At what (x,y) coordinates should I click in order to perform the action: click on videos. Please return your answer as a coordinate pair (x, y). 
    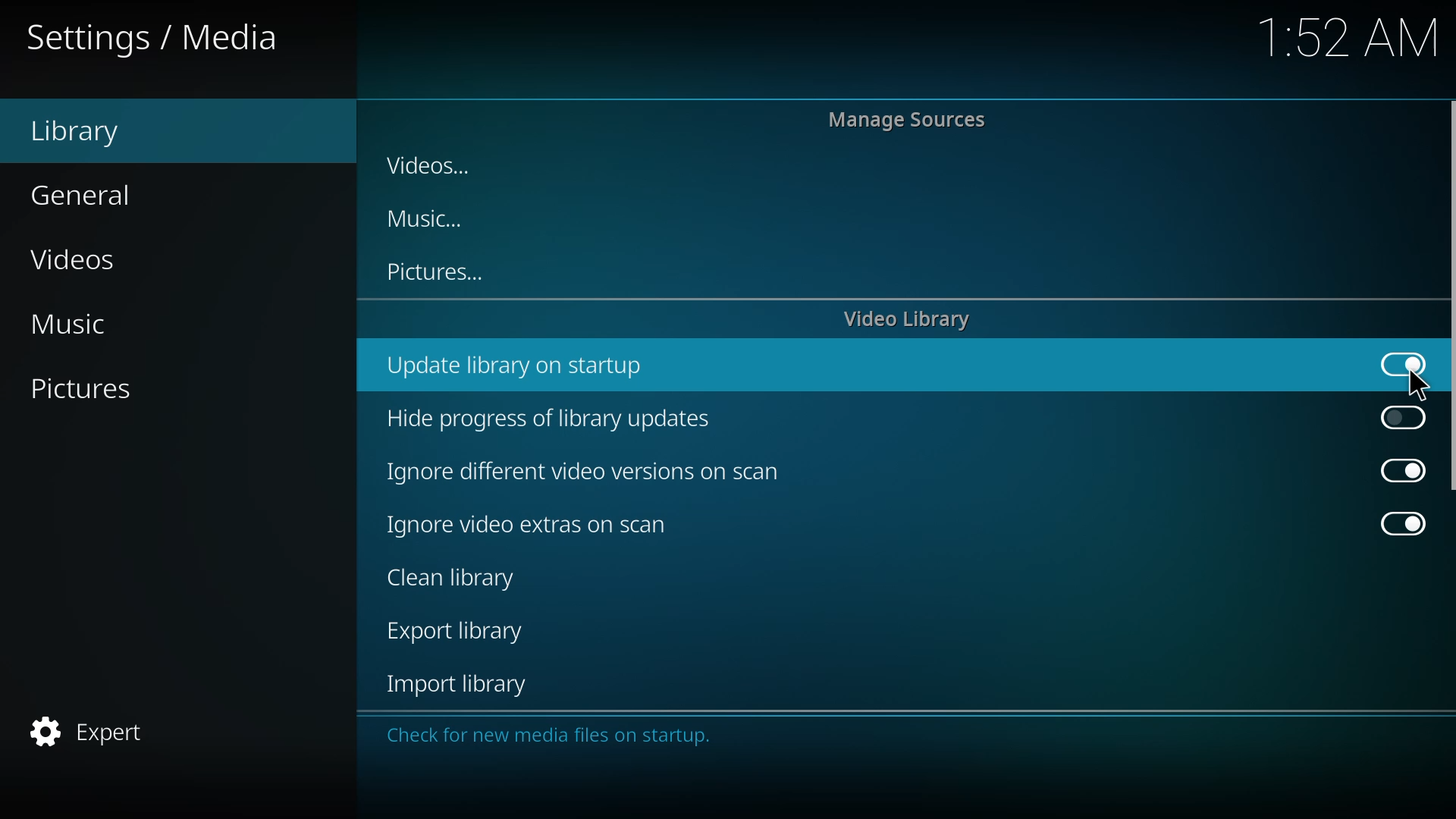
    Looking at the image, I should click on (435, 167).